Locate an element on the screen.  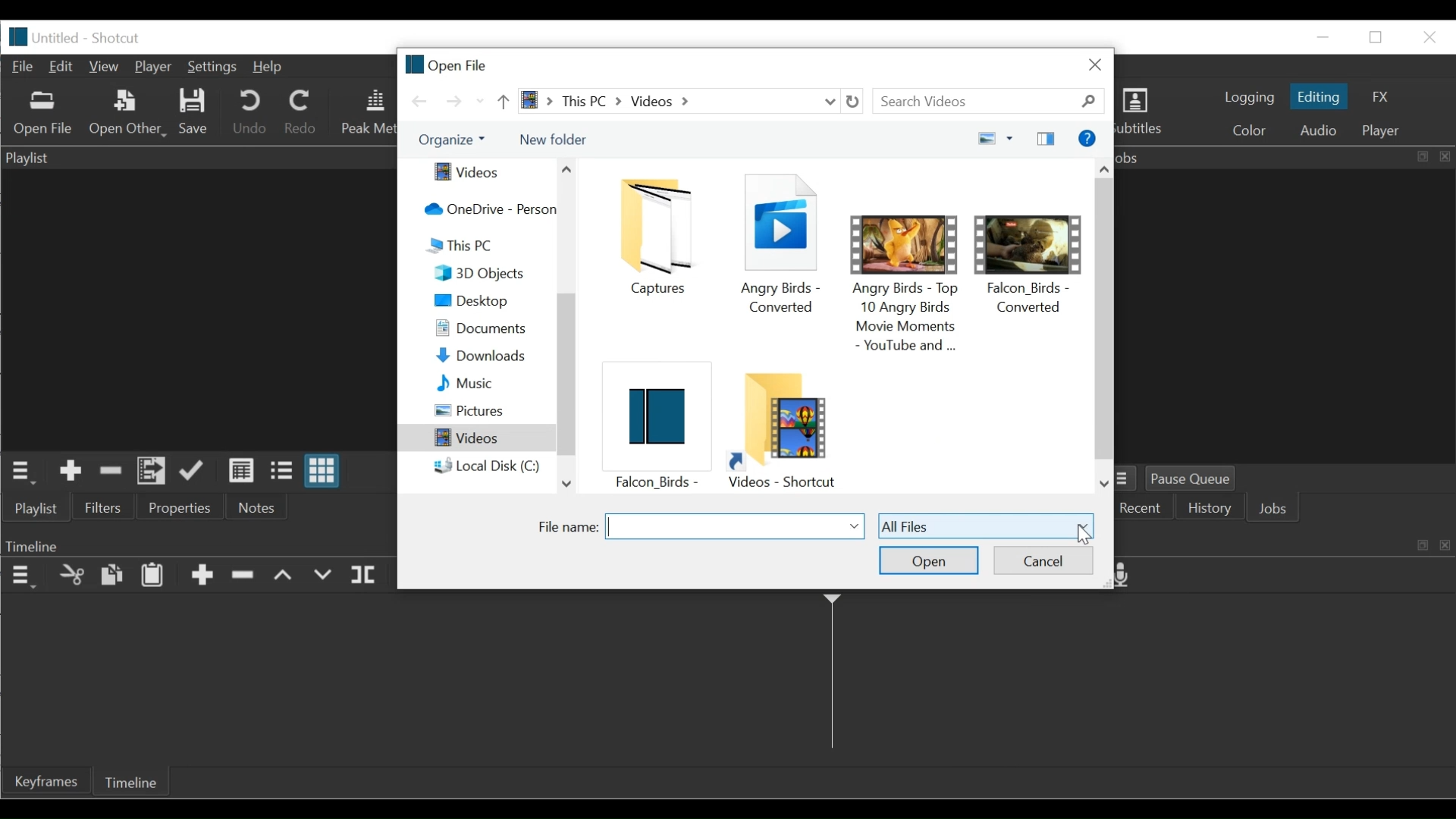
Ripple Delete is located at coordinates (245, 579).